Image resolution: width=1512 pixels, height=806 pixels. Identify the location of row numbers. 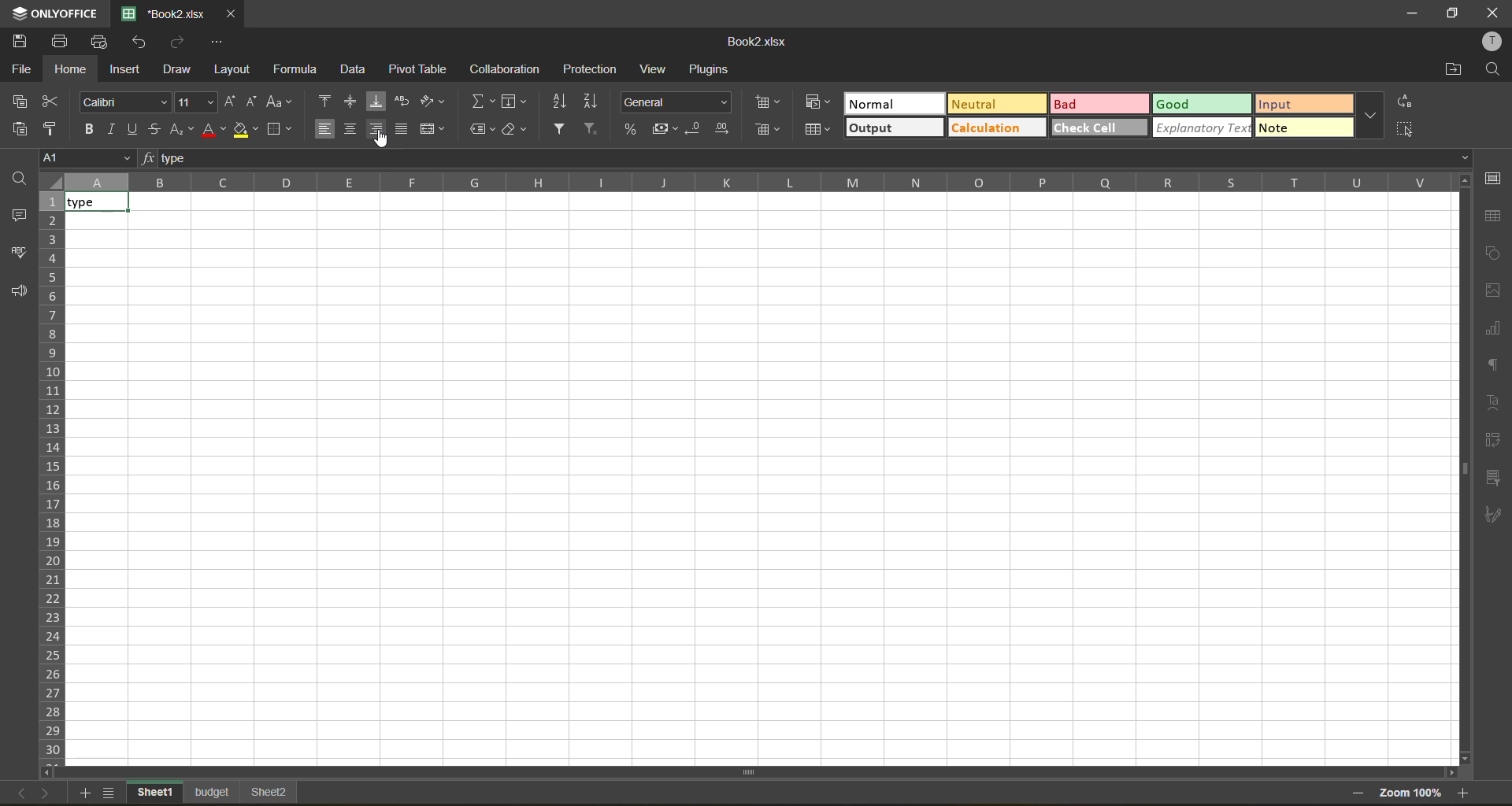
(53, 477).